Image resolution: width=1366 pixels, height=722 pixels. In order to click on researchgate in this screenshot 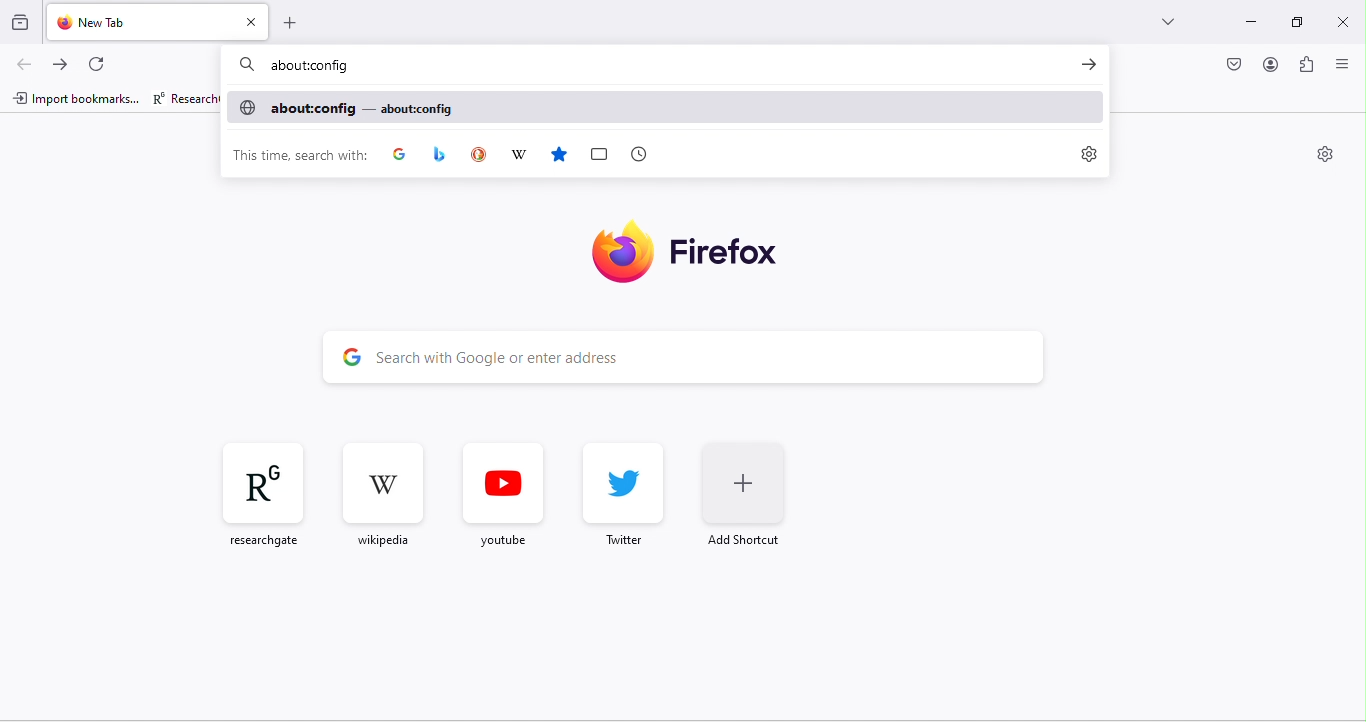, I will do `click(254, 491)`.